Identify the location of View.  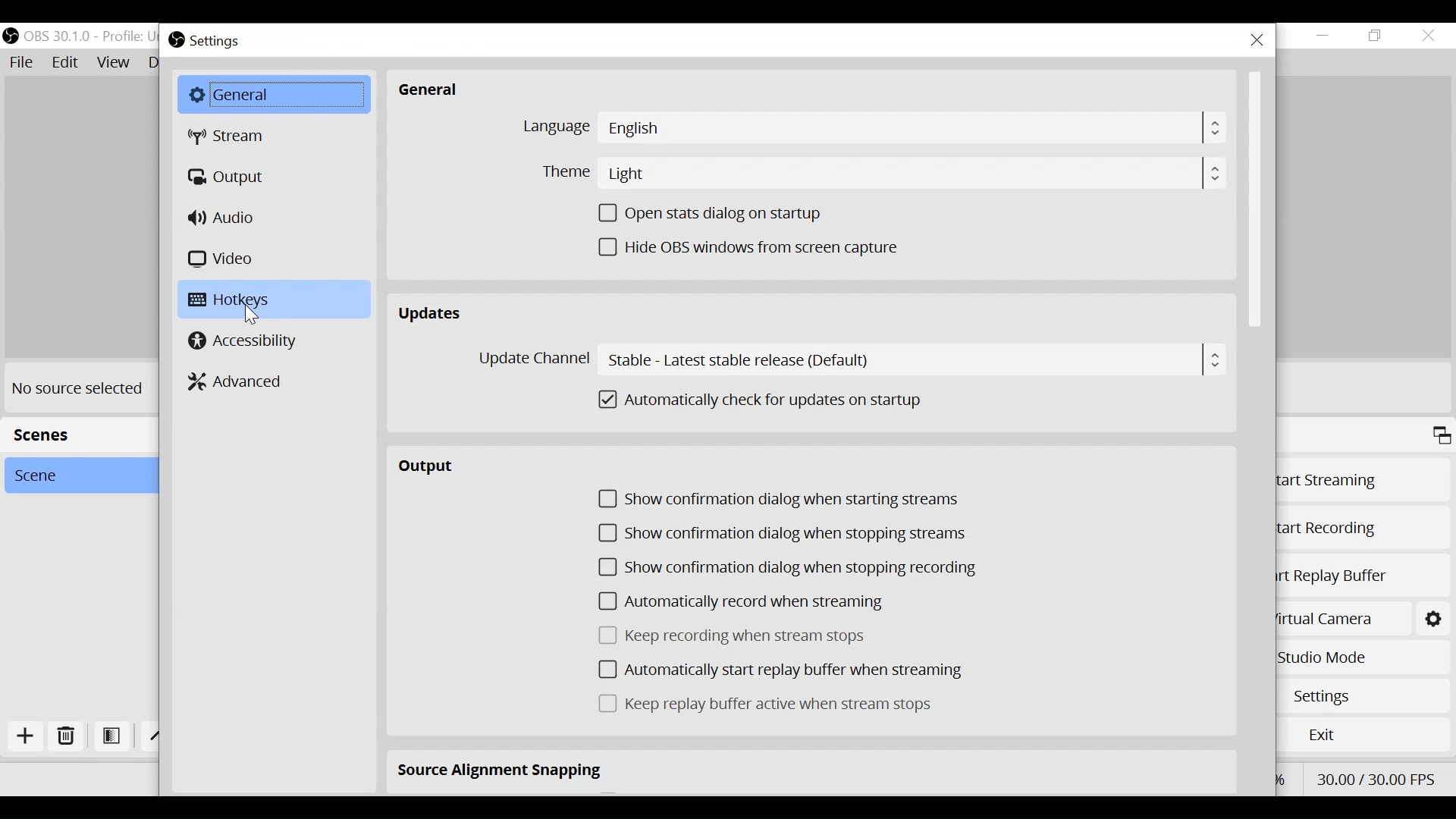
(115, 62).